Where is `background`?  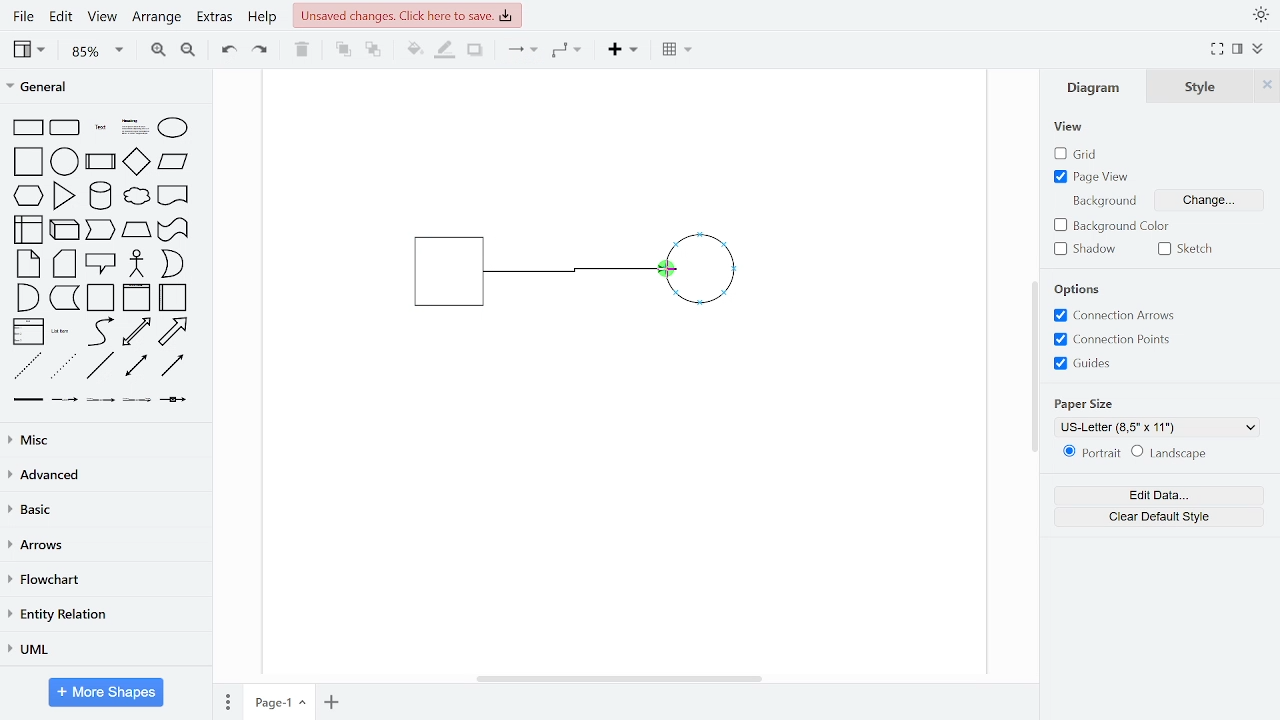 background is located at coordinates (1102, 200).